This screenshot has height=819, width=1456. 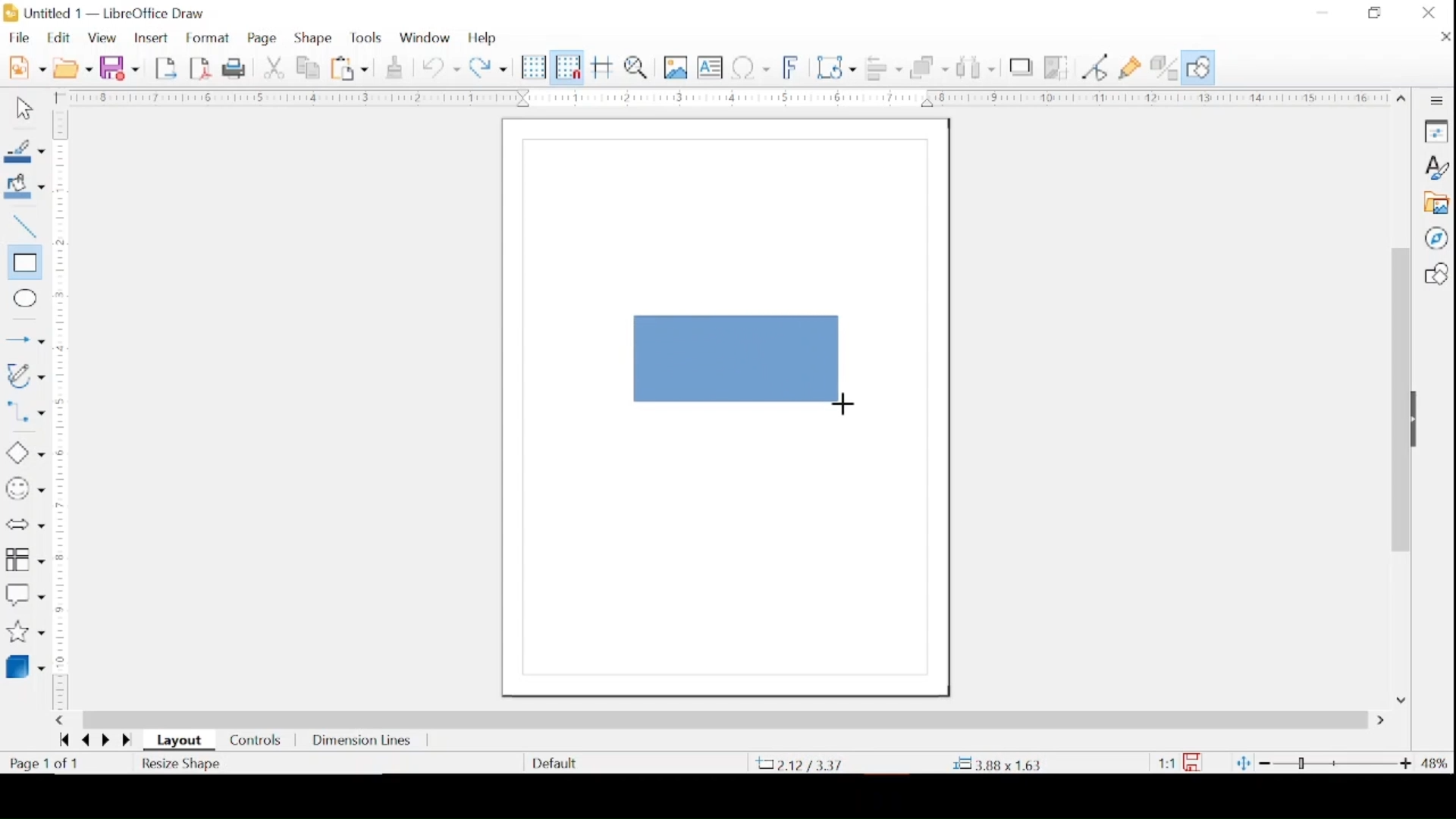 I want to click on previous, so click(x=83, y=741).